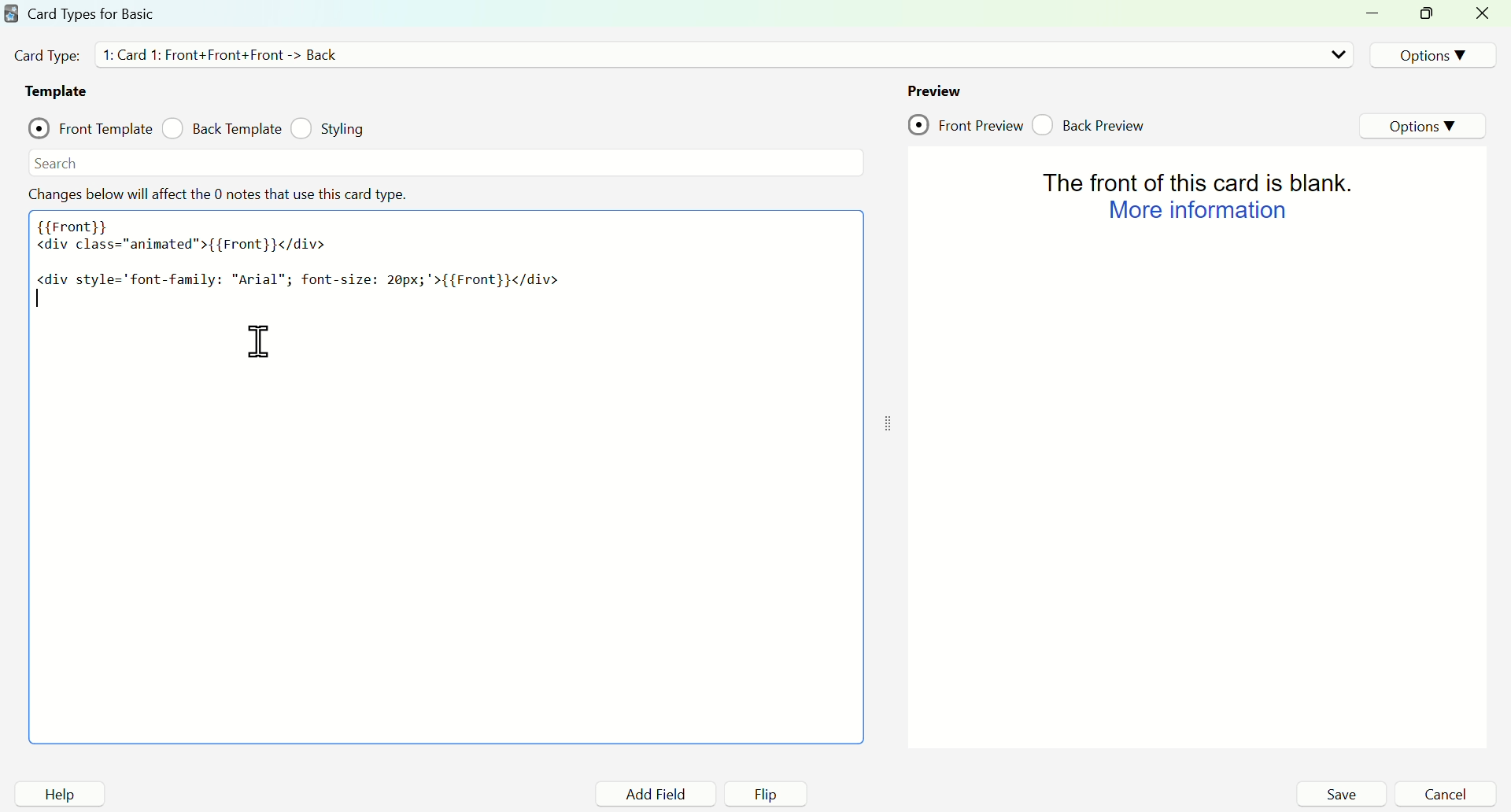  Describe the element at coordinates (1340, 794) in the screenshot. I see `save` at that location.